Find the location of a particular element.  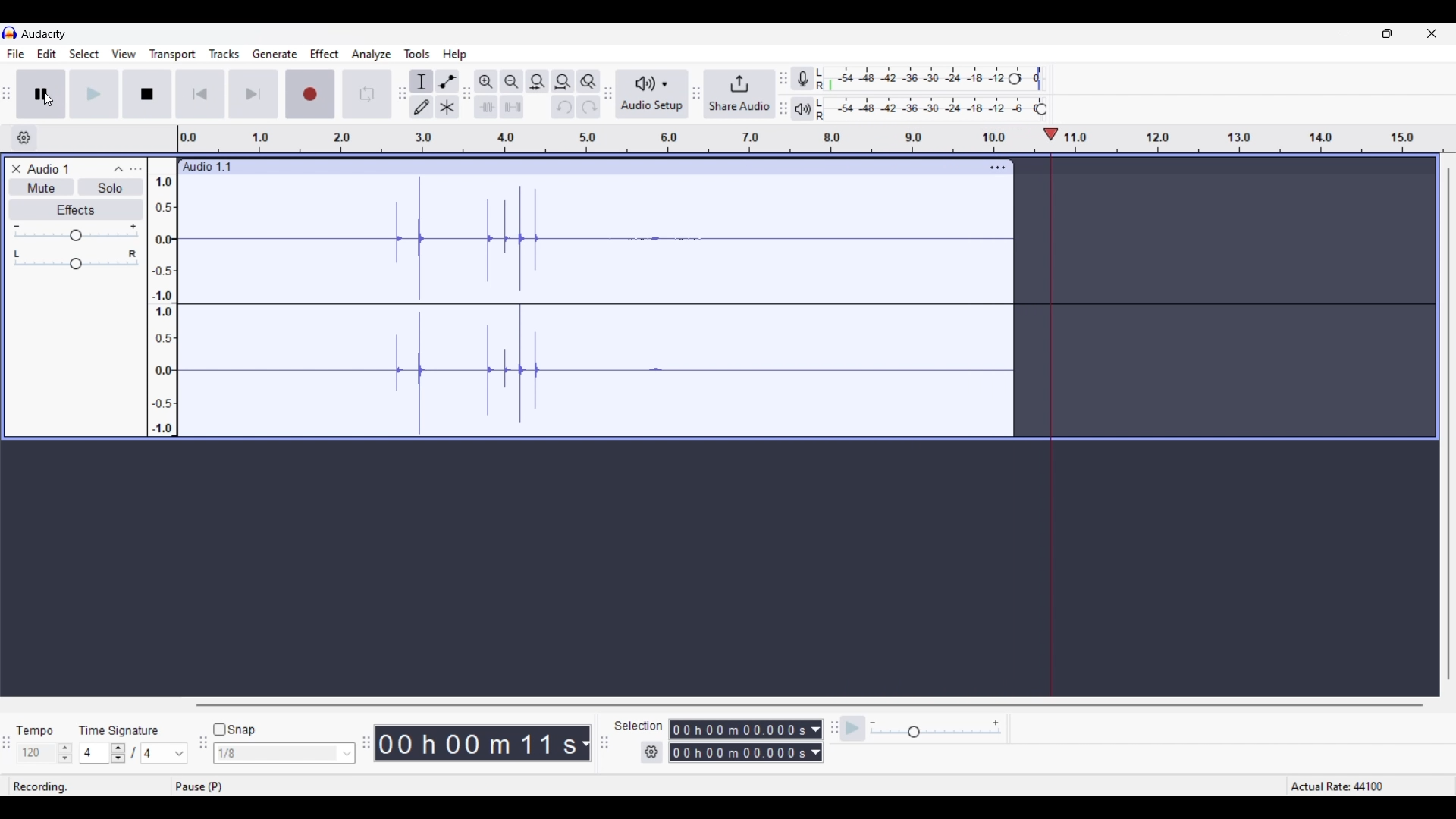

Playback meter is located at coordinates (803, 109).